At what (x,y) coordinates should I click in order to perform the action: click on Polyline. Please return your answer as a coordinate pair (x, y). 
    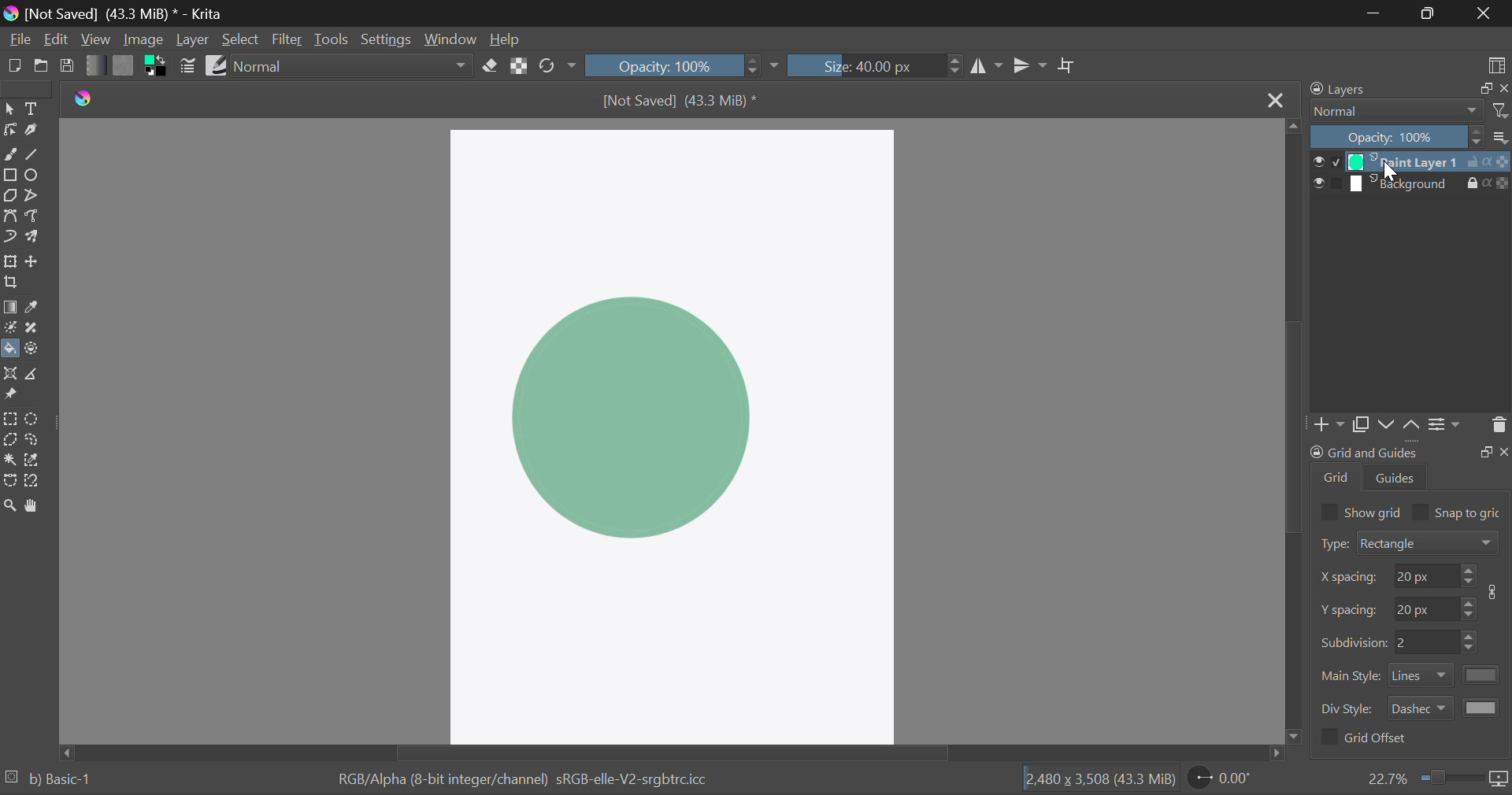
    Looking at the image, I should click on (33, 194).